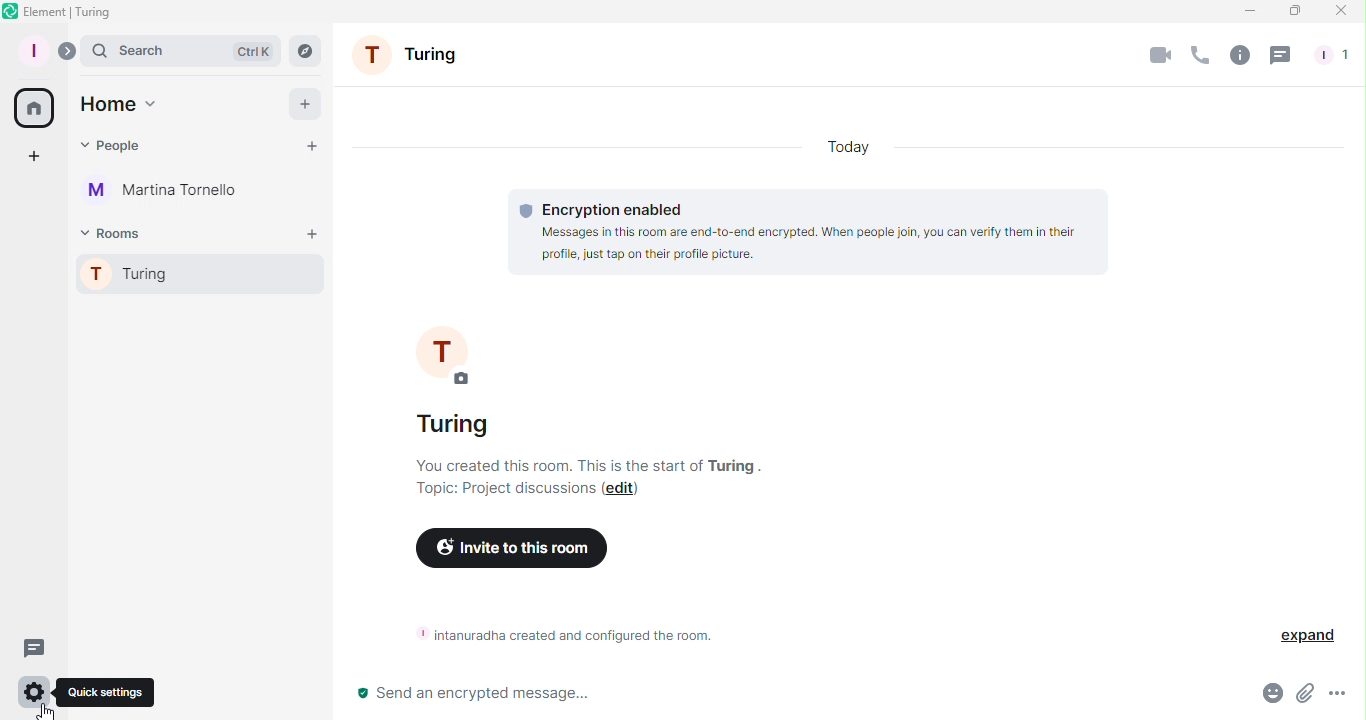  Describe the element at coordinates (422, 57) in the screenshot. I see `Turing ` at that location.